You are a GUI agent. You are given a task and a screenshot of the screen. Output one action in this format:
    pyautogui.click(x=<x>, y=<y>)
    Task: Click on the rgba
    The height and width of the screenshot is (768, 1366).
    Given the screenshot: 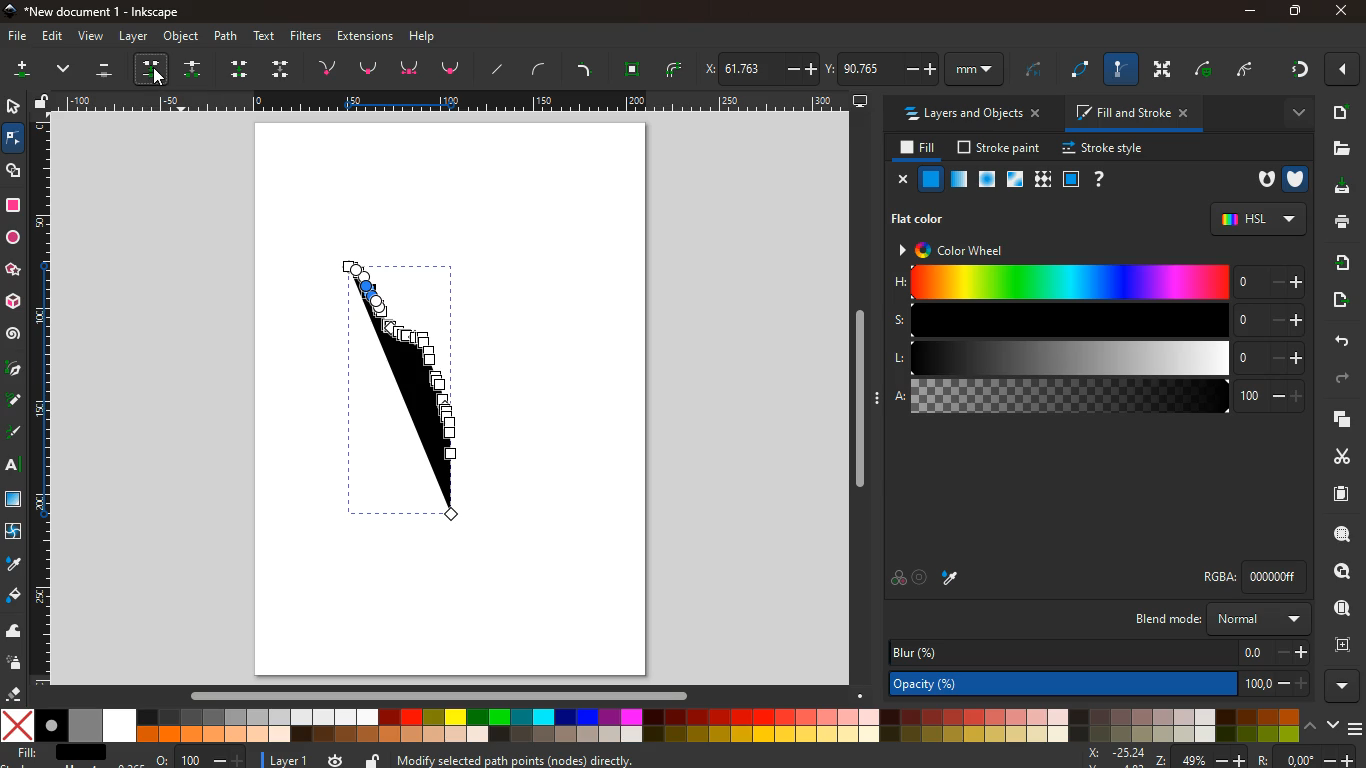 What is the action you would take?
    pyautogui.click(x=1258, y=576)
    